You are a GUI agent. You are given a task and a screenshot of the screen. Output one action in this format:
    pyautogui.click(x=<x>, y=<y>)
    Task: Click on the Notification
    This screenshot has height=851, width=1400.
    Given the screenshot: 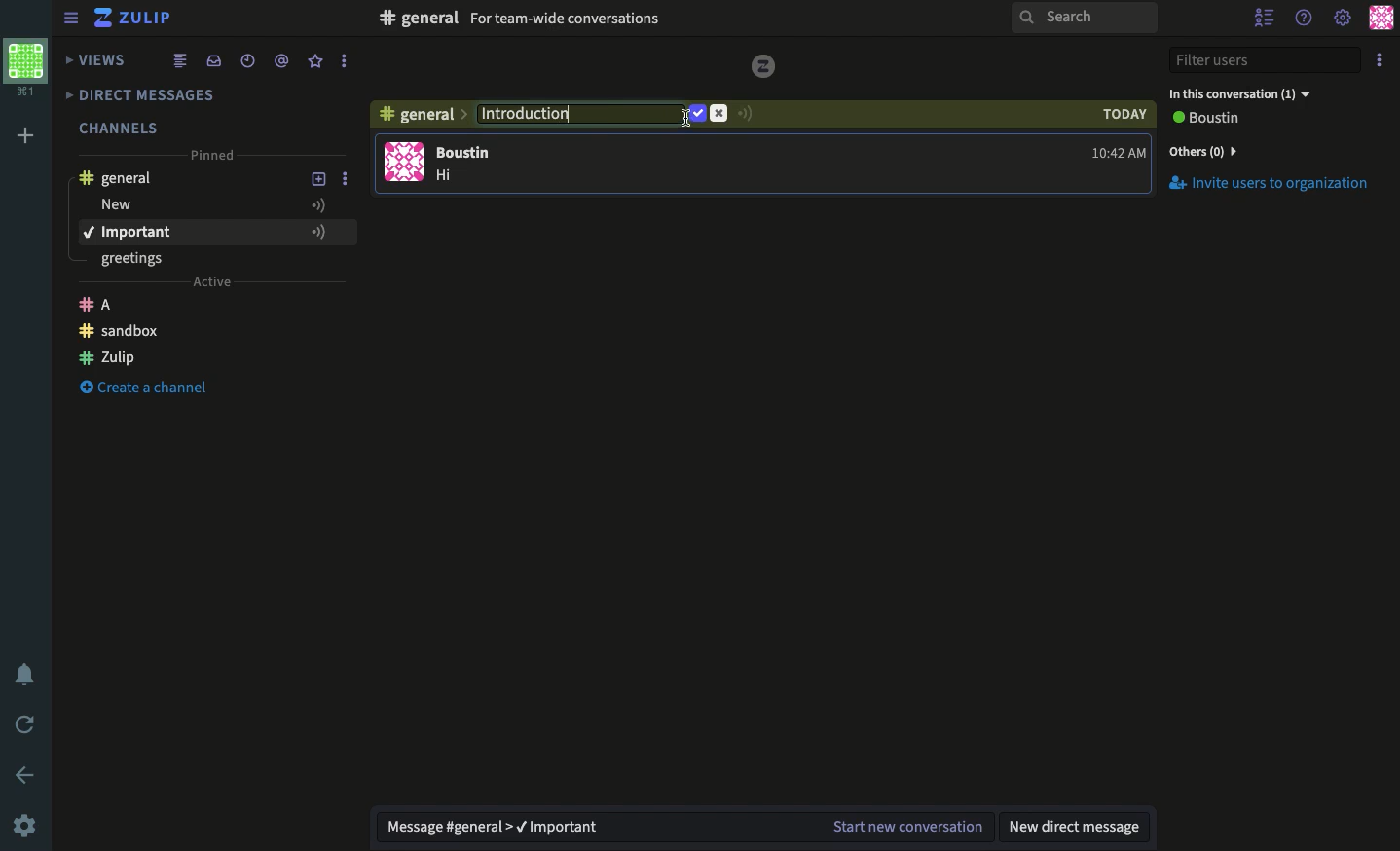 What is the action you would take?
    pyautogui.click(x=23, y=672)
    